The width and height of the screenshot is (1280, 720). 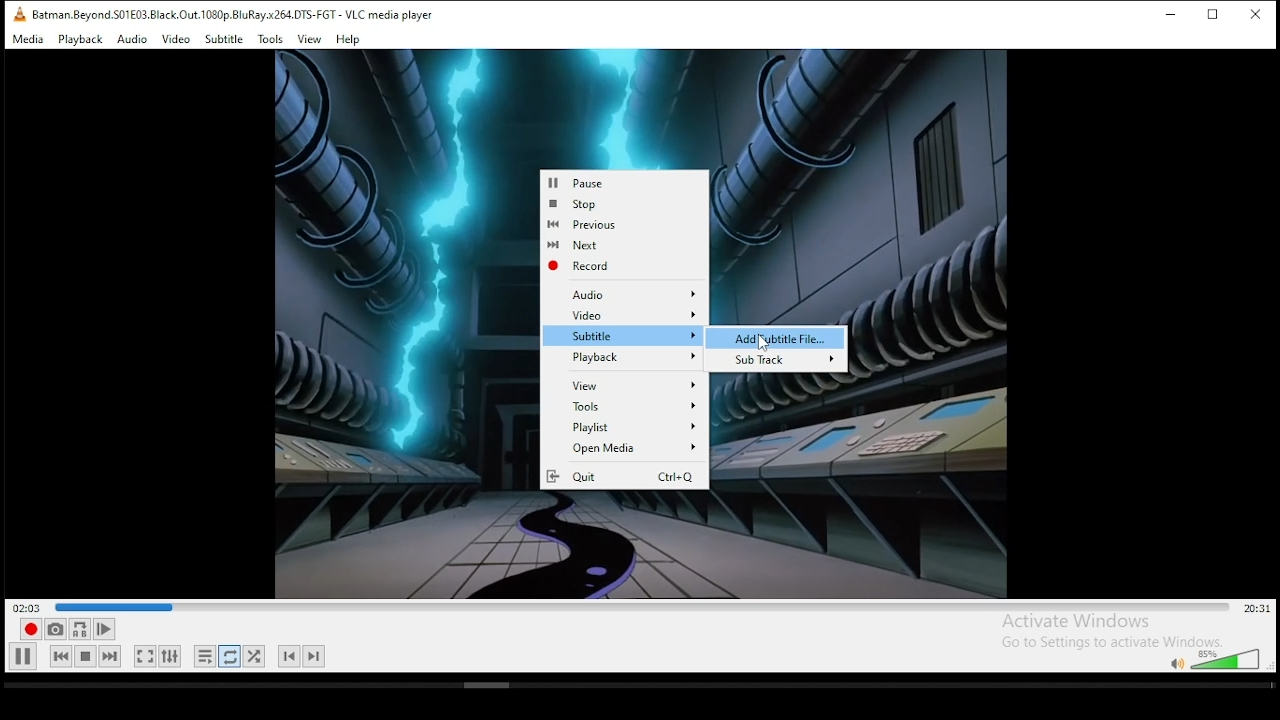 I want to click on Playback options, so click(x=625, y=357).